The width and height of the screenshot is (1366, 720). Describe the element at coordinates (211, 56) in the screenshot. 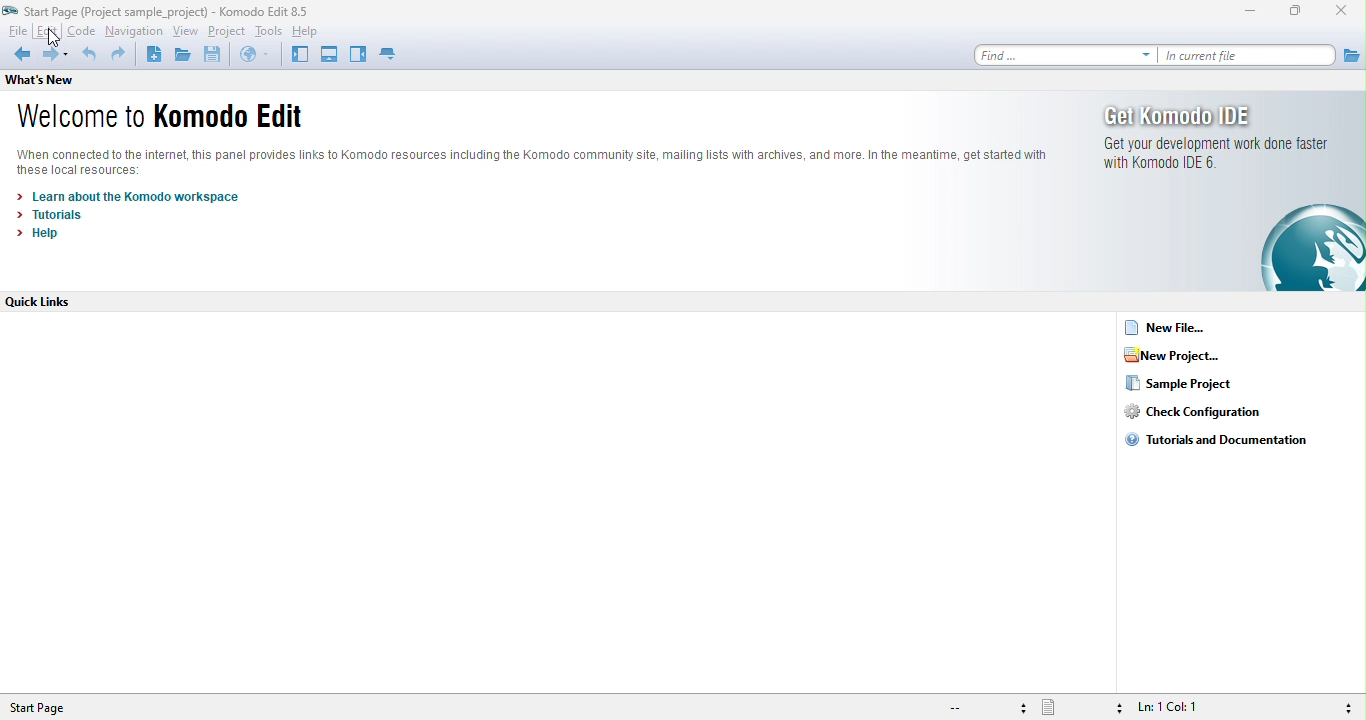

I see `save` at that location.